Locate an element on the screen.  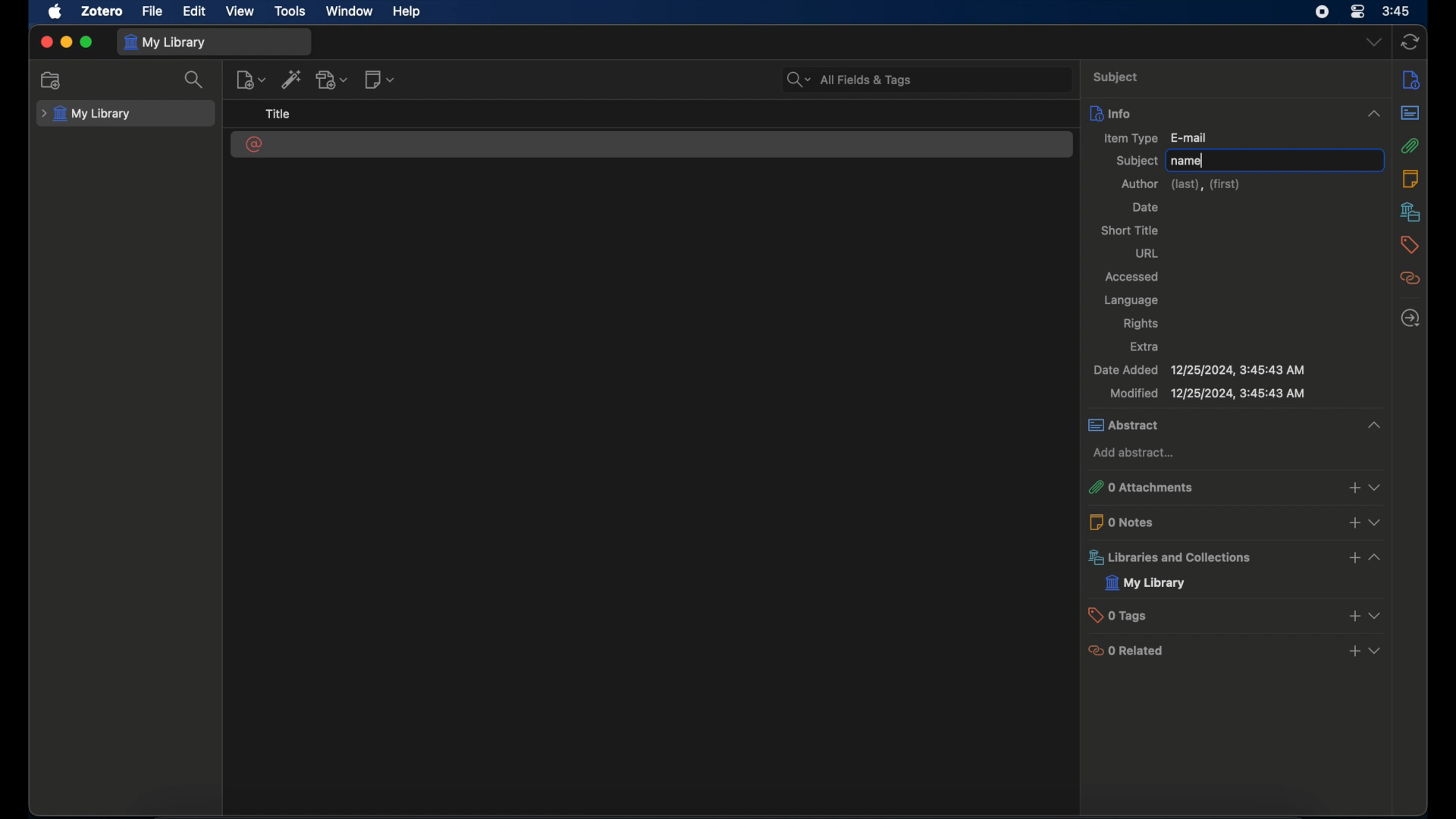
modified is located at coordinates (1207, 394).